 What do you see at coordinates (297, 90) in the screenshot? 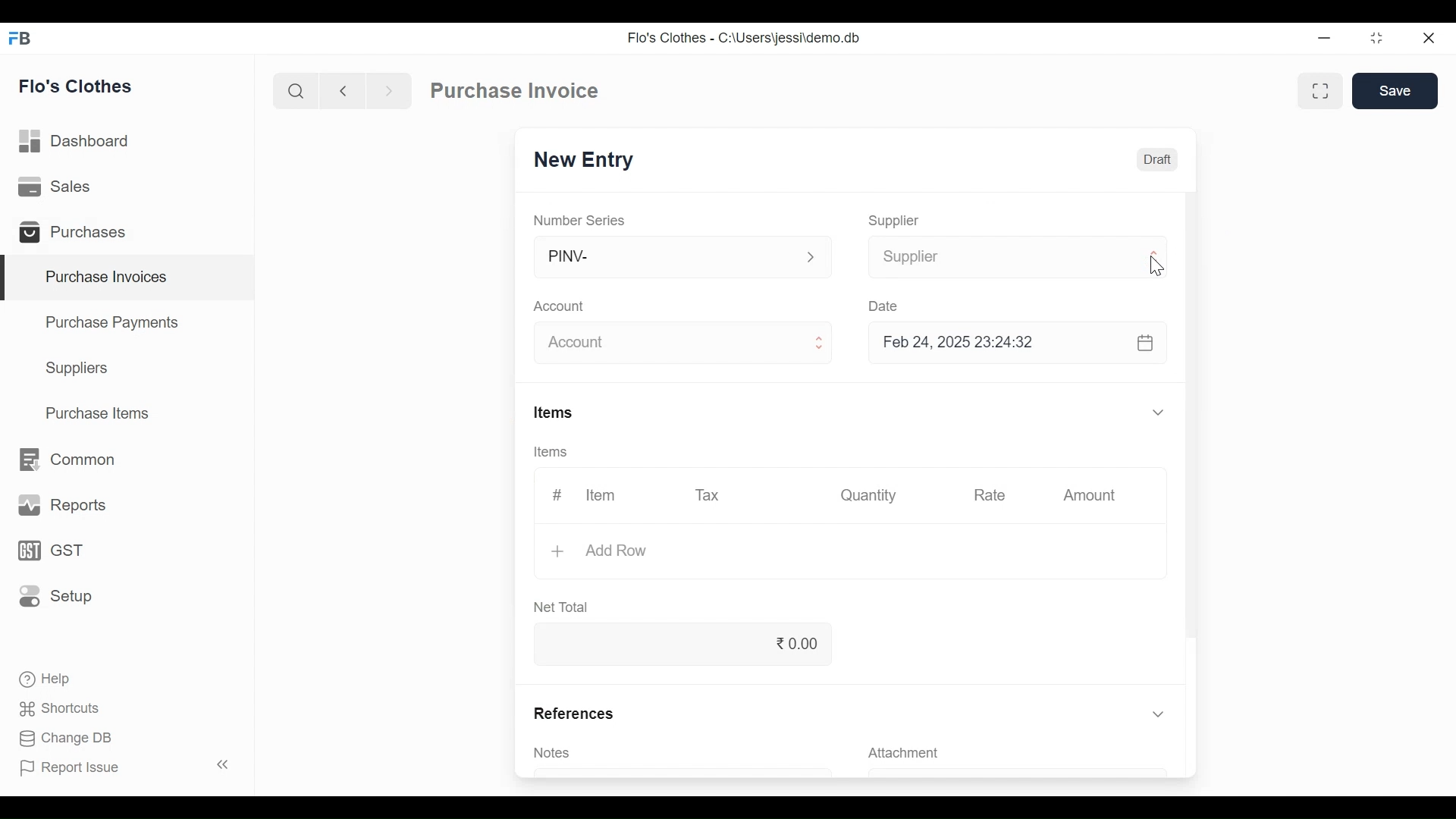
I see `Search` at bounding box center [297, 90].